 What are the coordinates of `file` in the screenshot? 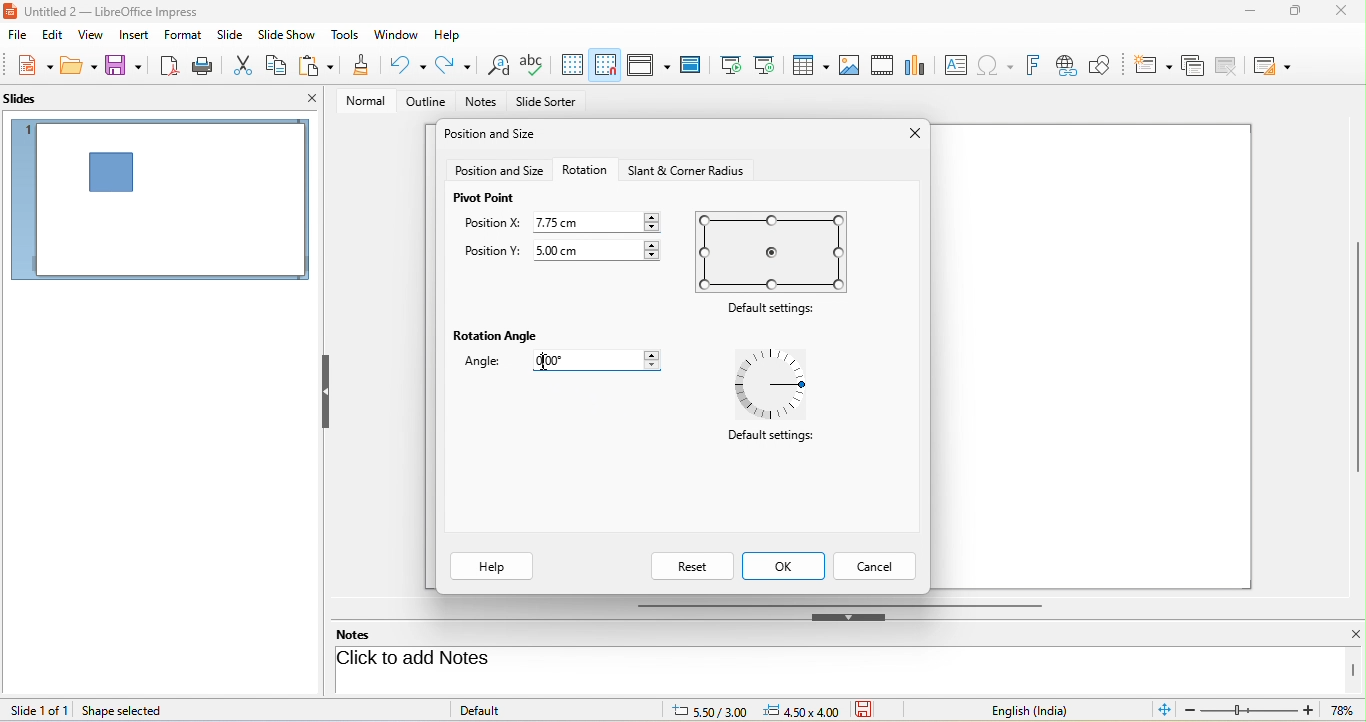 It's located at (18, 36).